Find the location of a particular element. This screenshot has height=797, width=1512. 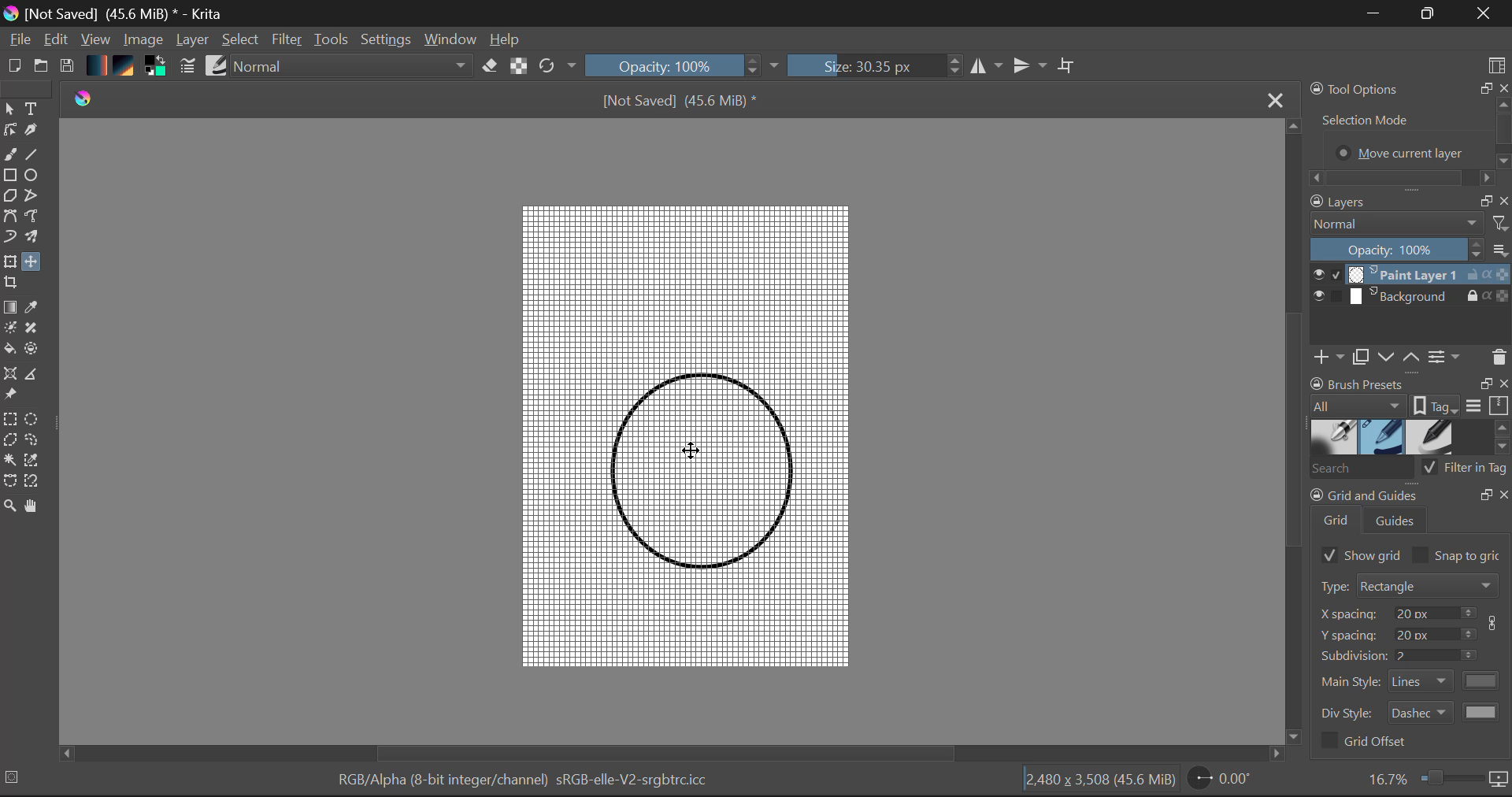

Polyline is located at coordinates (32, 194).